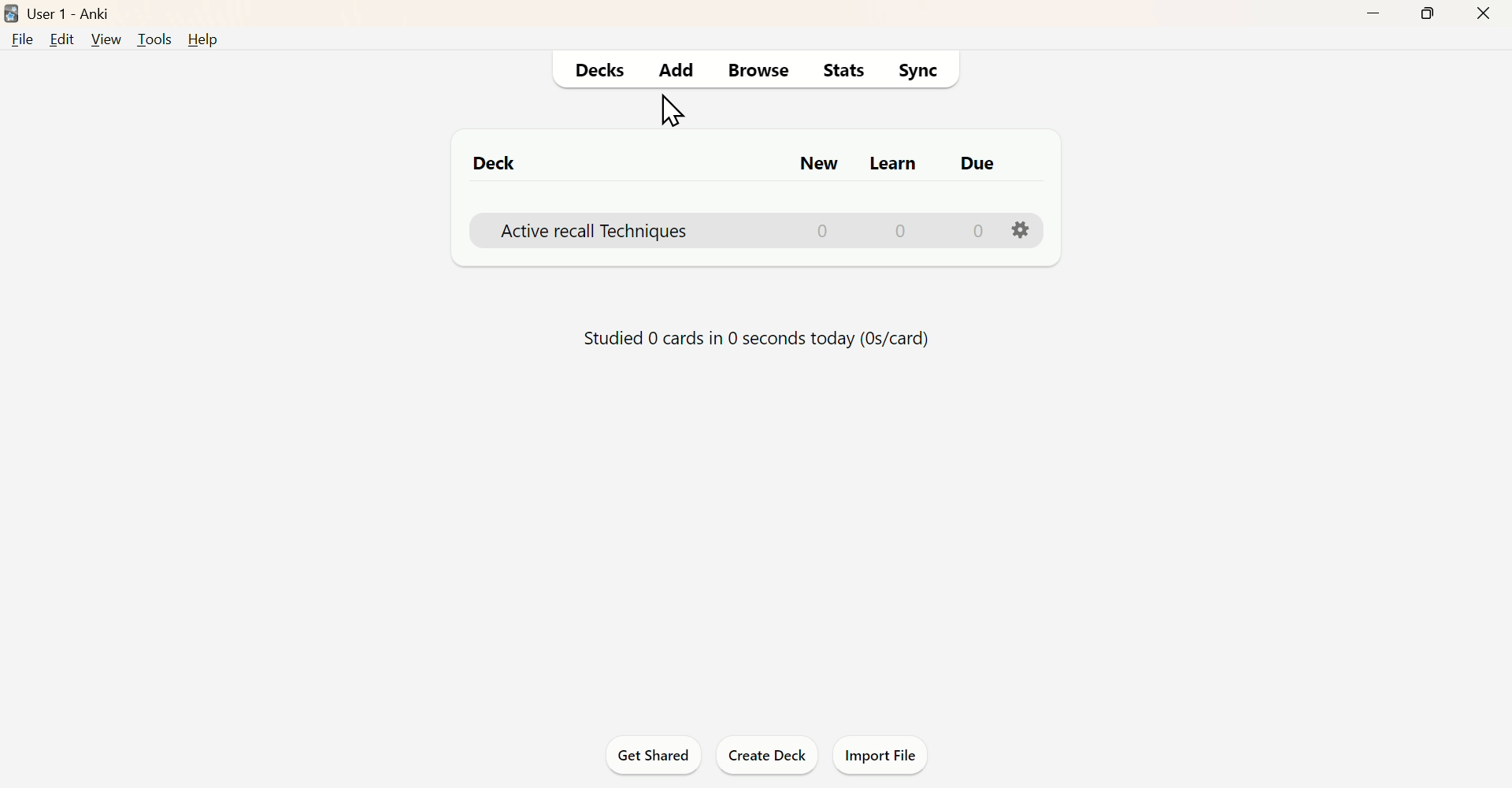  I want to click on New, so click(813, 162).